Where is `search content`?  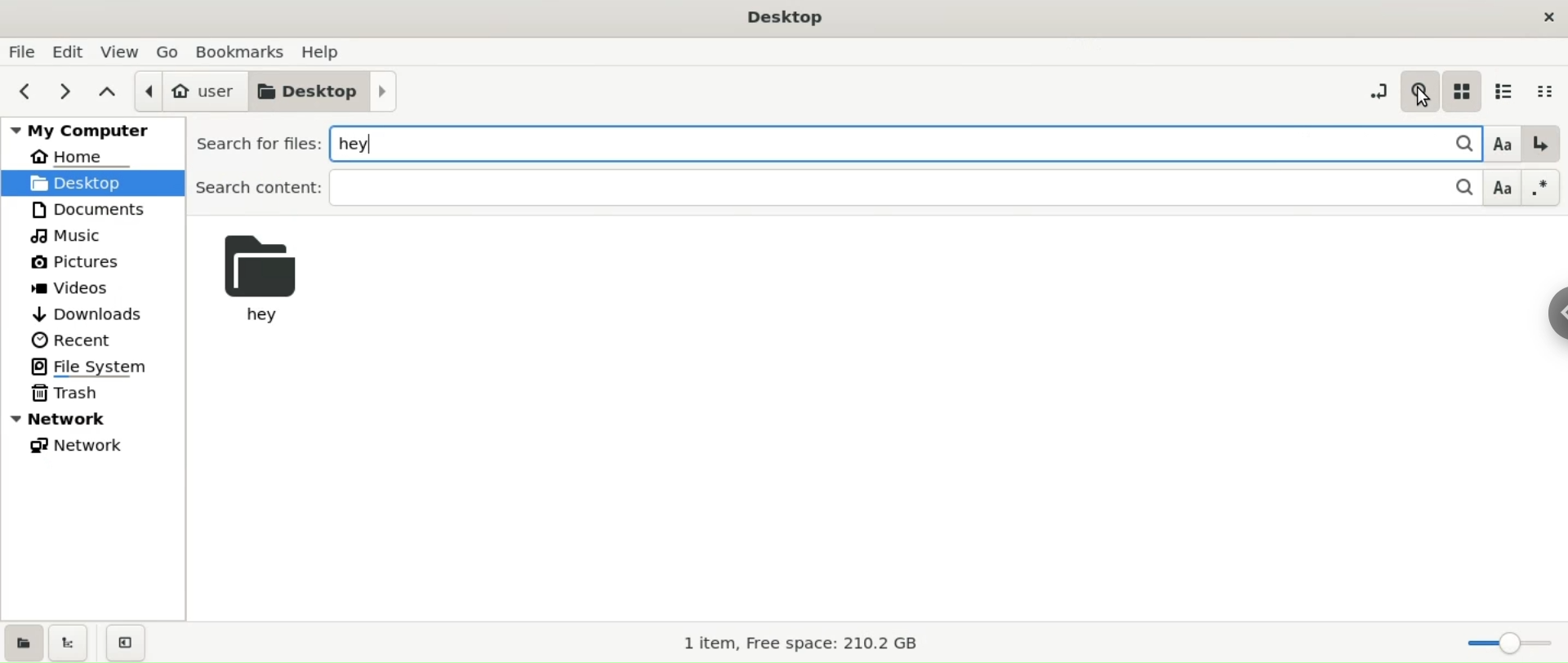 search content is located at coordinates (871, 187).